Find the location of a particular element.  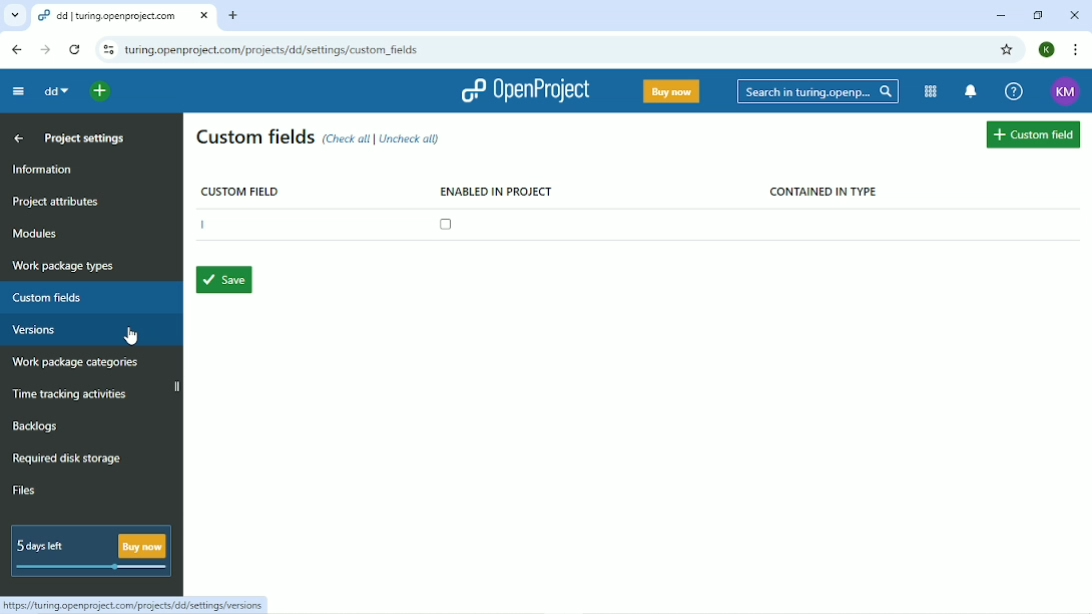

Uncheck all is located at coordinates (414, 141).